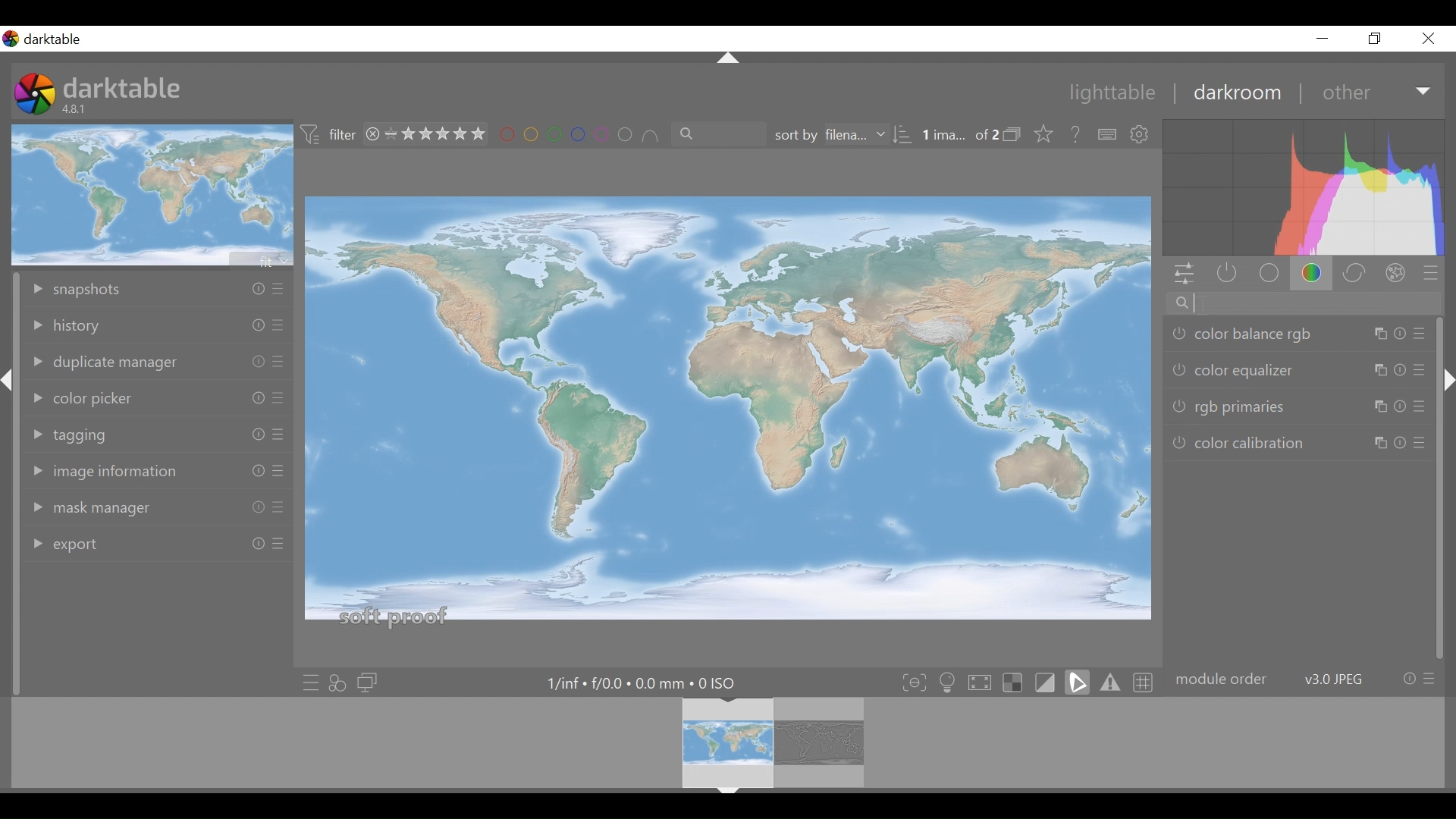 This screenshot has height=819, width=1456. What do you see at coordinates (1376, 39) in the screenshot?
I see `restore` at bounding box center [1376, 39].